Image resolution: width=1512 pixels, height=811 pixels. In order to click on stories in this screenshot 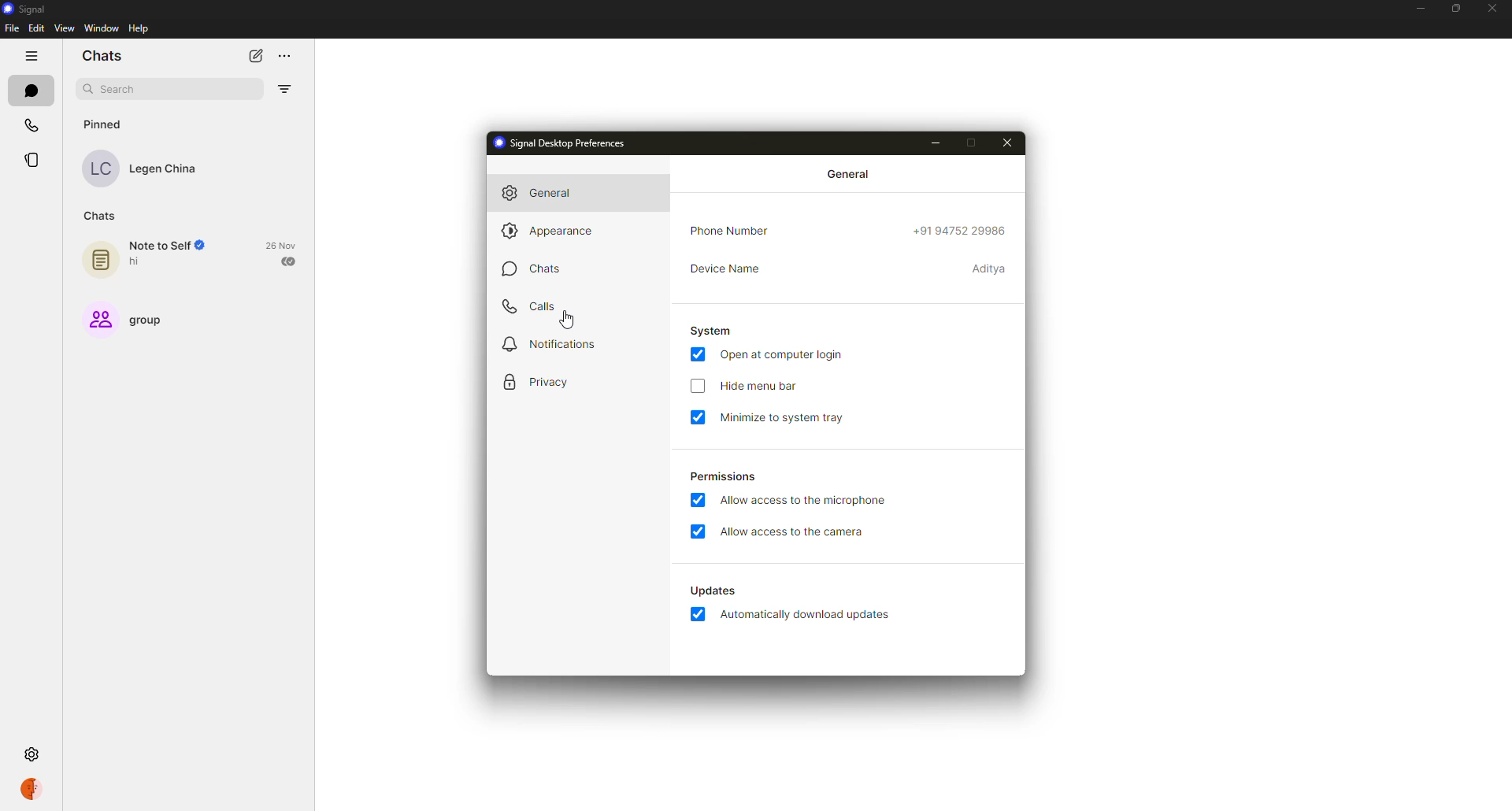, I will do `click(36, 160)`.